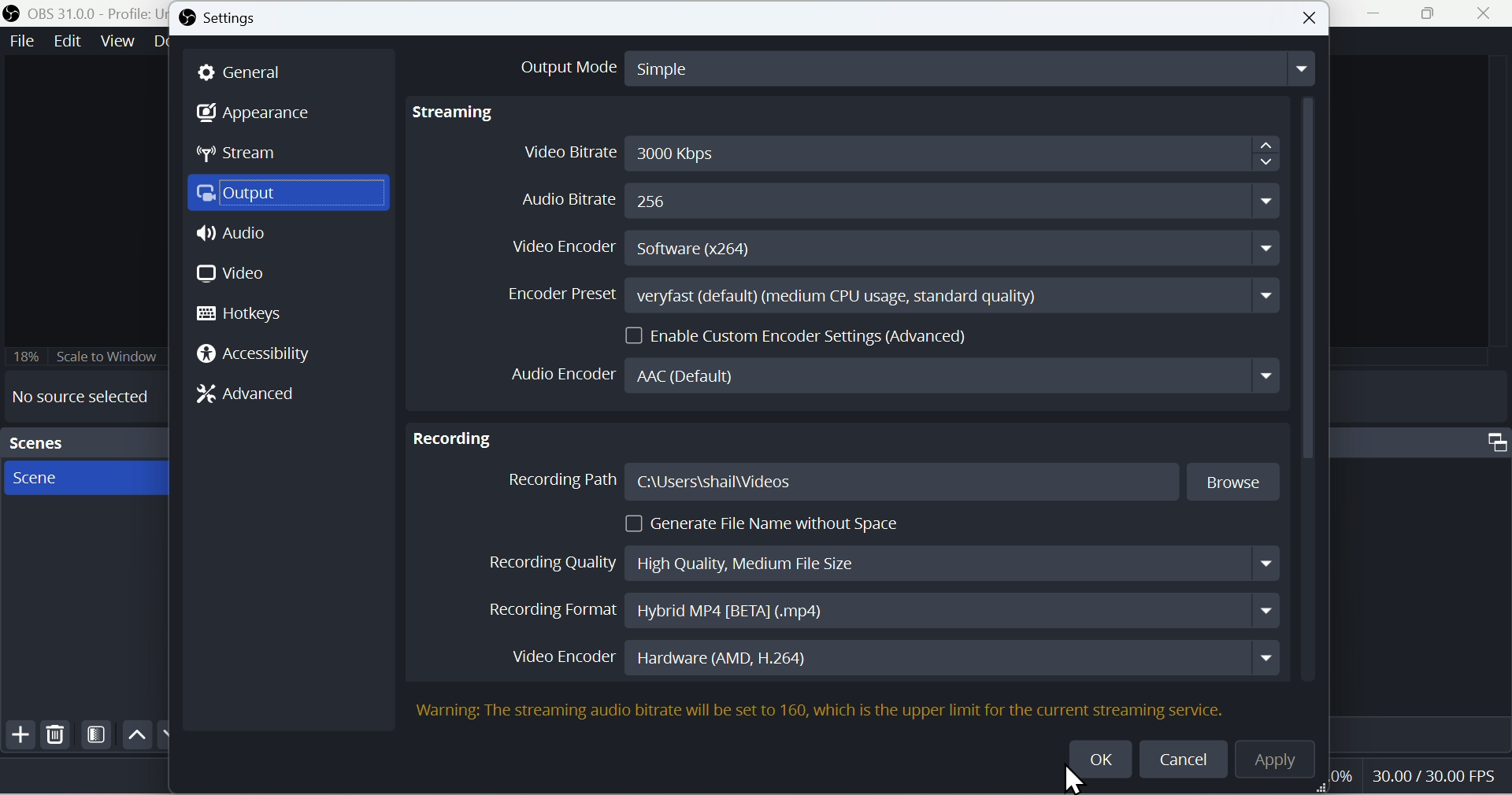  What do you see at coordinates (248, 313) in the screenshot?
I see `Hotkeys` at bounding box center [248, 313].